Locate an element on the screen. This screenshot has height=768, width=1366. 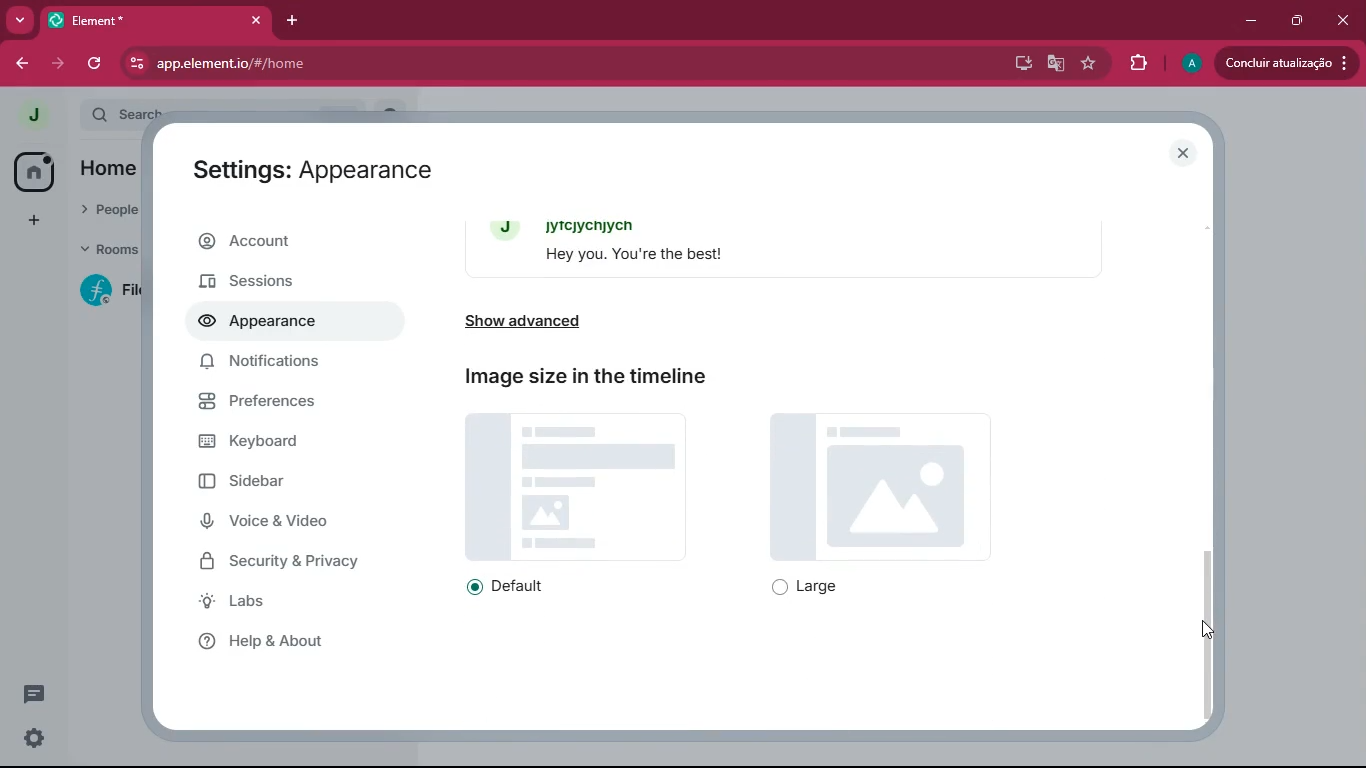
home is located at coordinates (27, 170).